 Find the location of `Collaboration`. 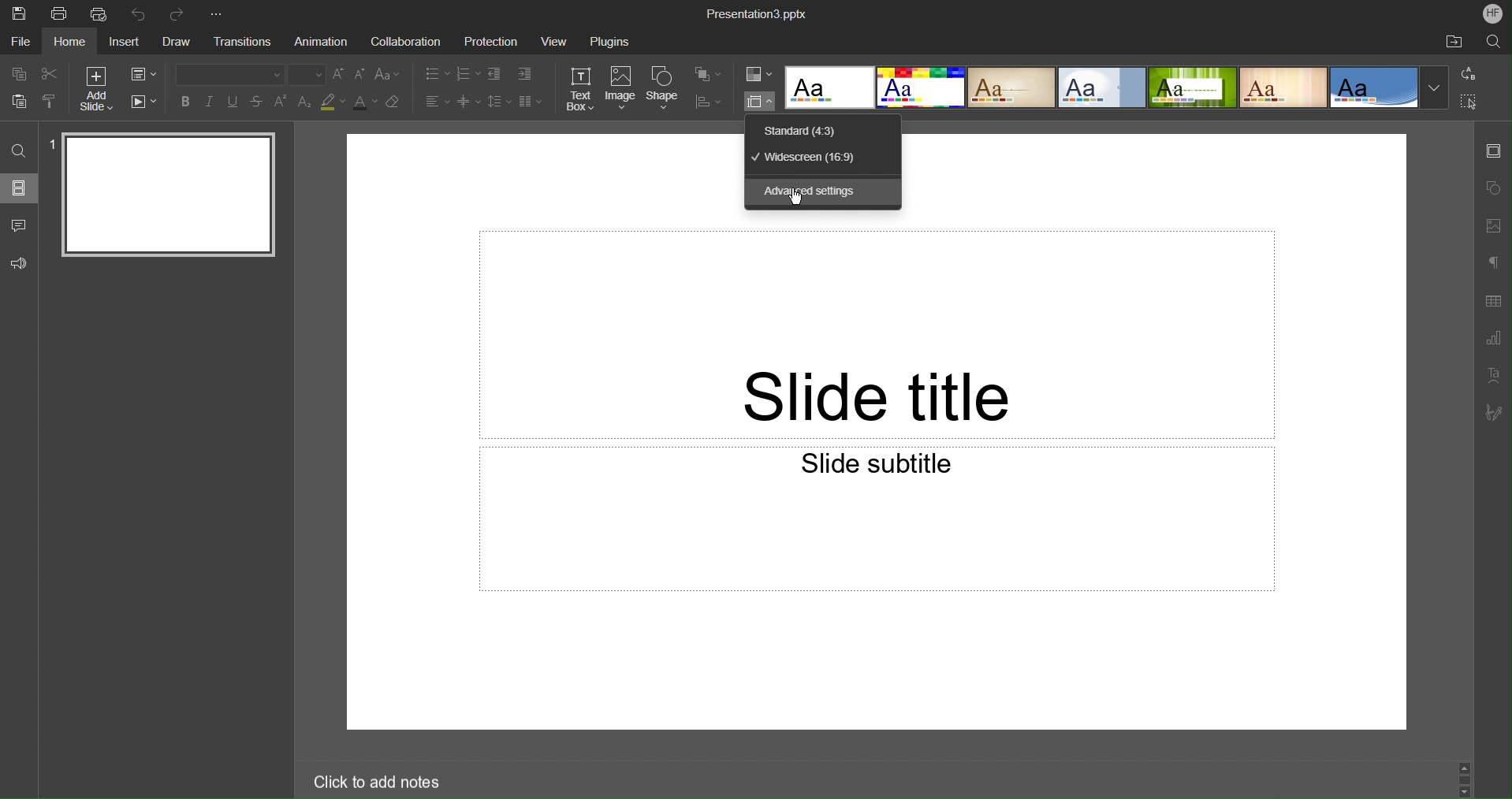

Collaboration is located at coordinates (406, 43).